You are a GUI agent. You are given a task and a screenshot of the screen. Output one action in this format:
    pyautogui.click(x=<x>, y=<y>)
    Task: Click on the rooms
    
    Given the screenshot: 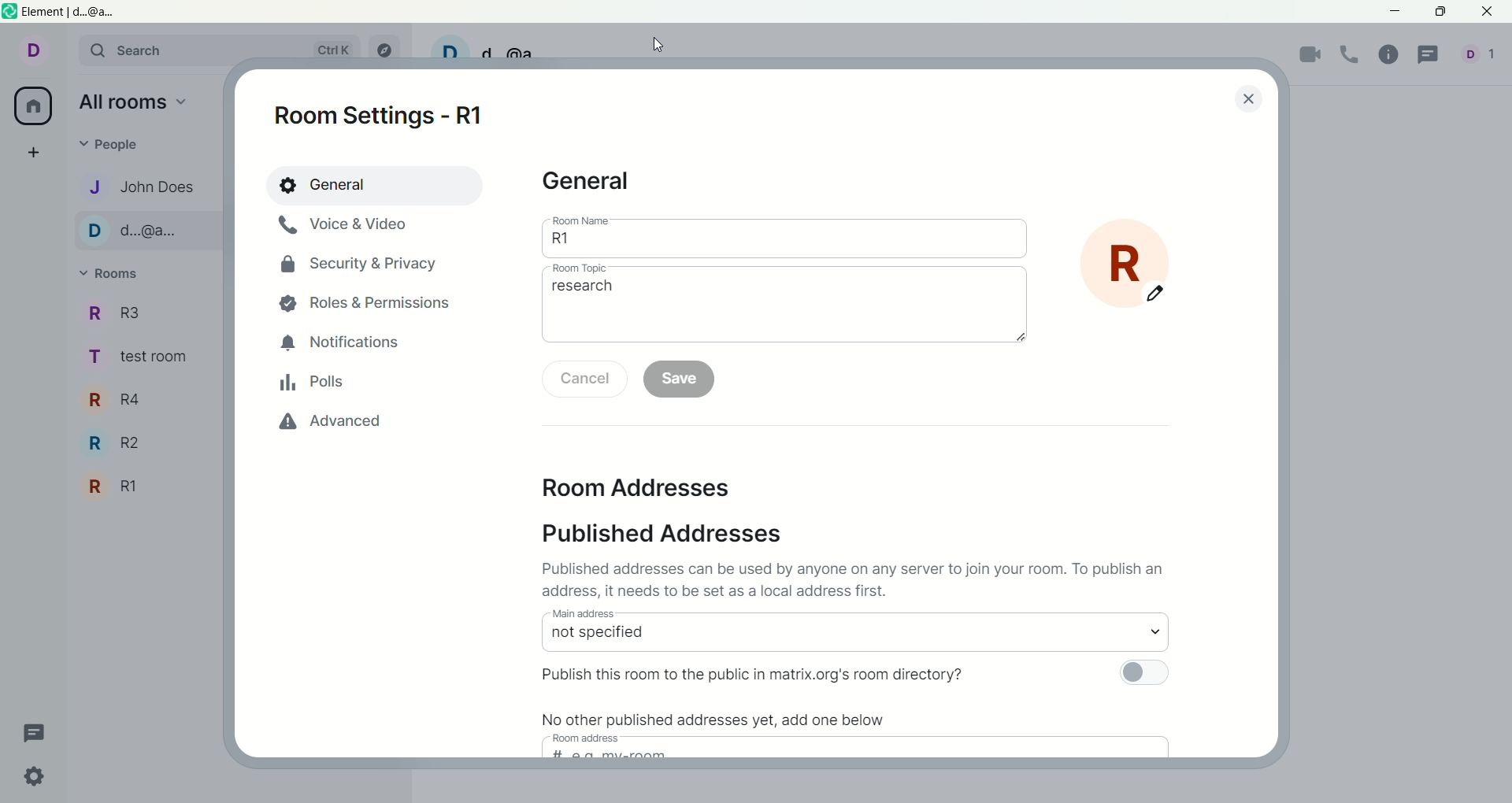 What is the action you would take?
    pyautogui.click(x=108, y=275)
    